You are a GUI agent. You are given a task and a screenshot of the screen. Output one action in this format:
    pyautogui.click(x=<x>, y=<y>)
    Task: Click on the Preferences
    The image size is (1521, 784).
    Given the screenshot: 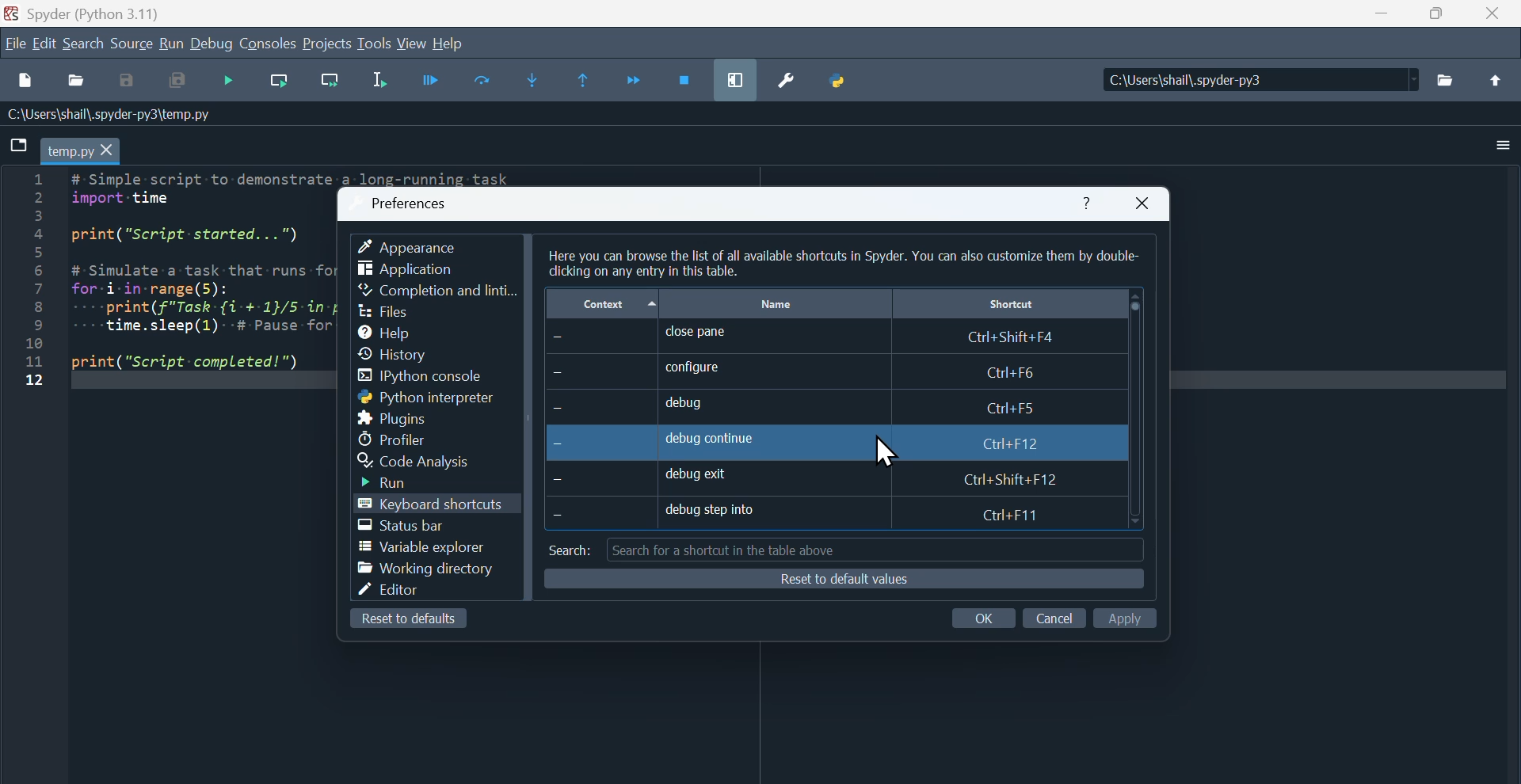 What is the action you would take?
    pyautogui.click(x=791, y=86)
    